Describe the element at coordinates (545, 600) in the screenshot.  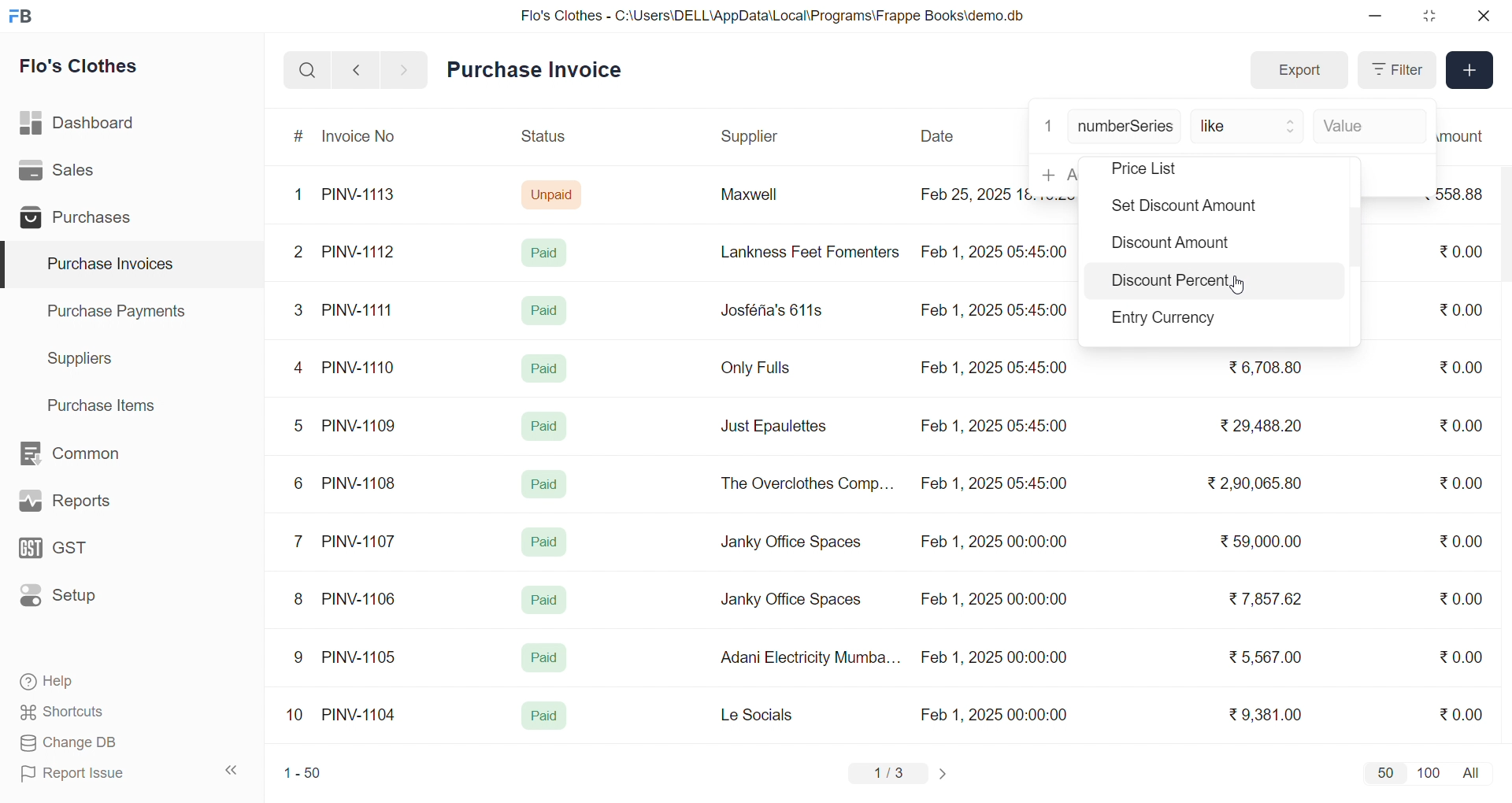
I see `Paid` at that location.